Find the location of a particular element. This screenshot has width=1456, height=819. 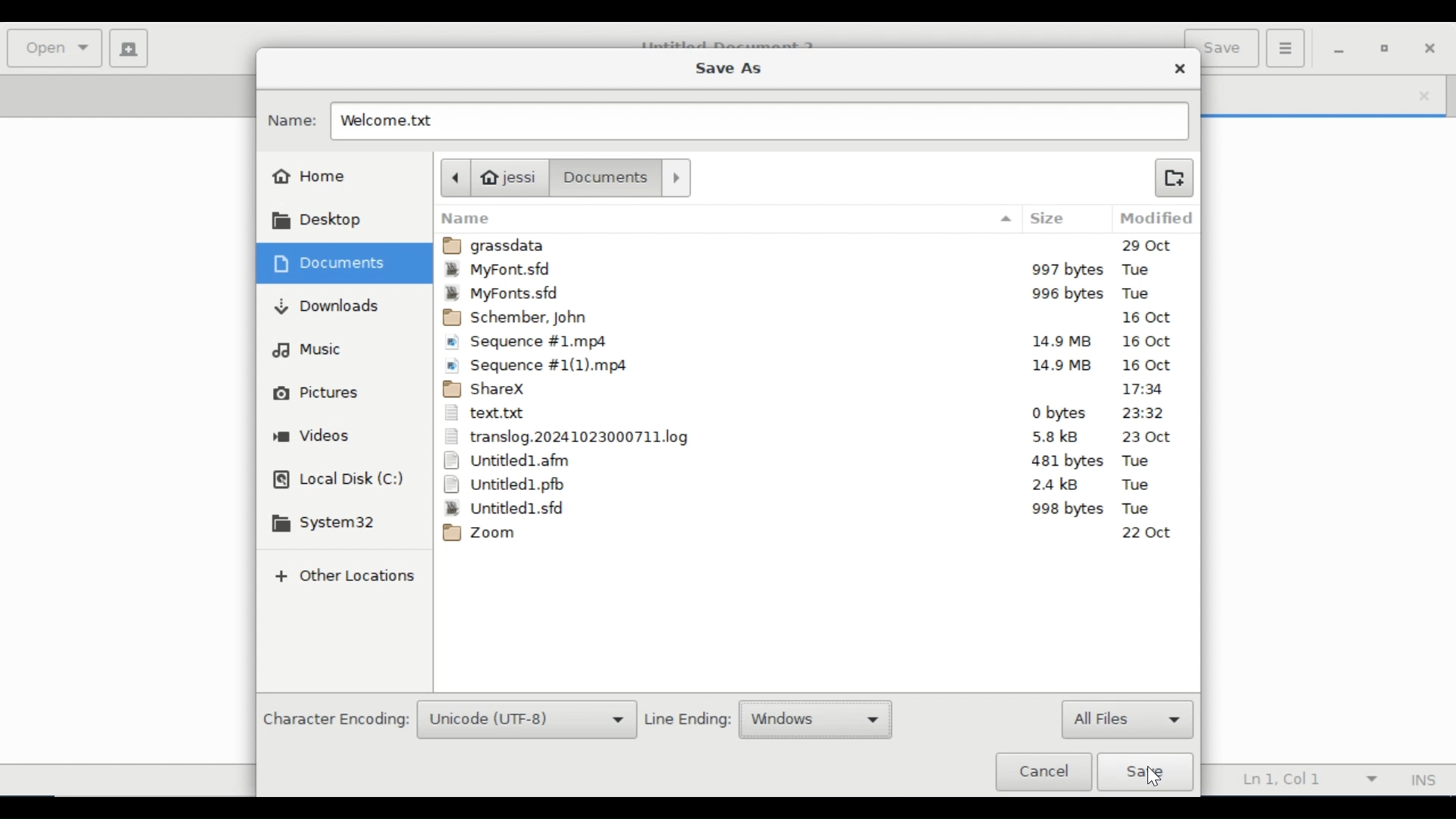

translog.2024102410323000711.log 5.8kB 23Oct is located at coordinates (811, 437).